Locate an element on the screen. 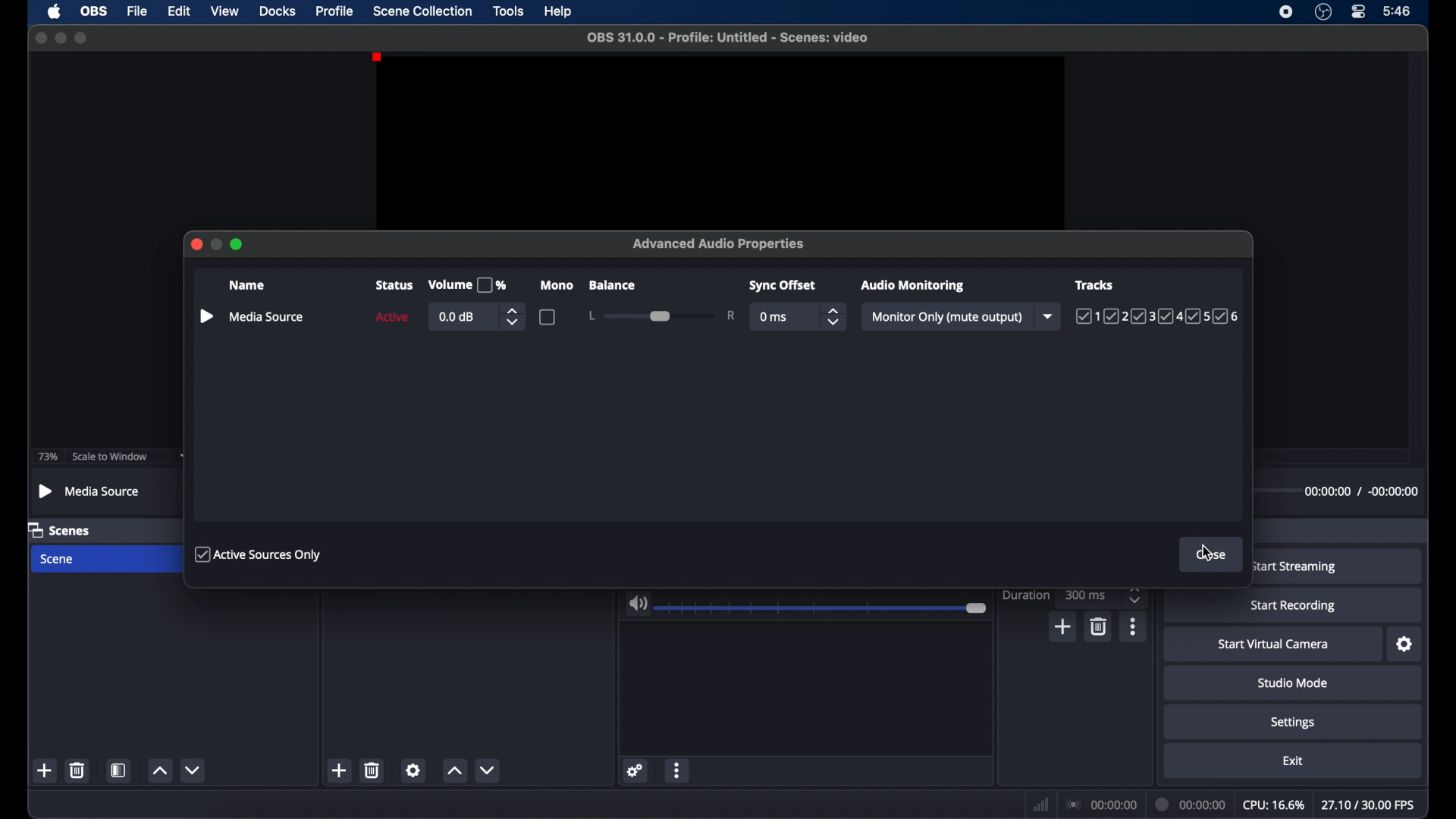 This screenshot has width=1456, height=819. tracks is located at coordinates (1159, 317).